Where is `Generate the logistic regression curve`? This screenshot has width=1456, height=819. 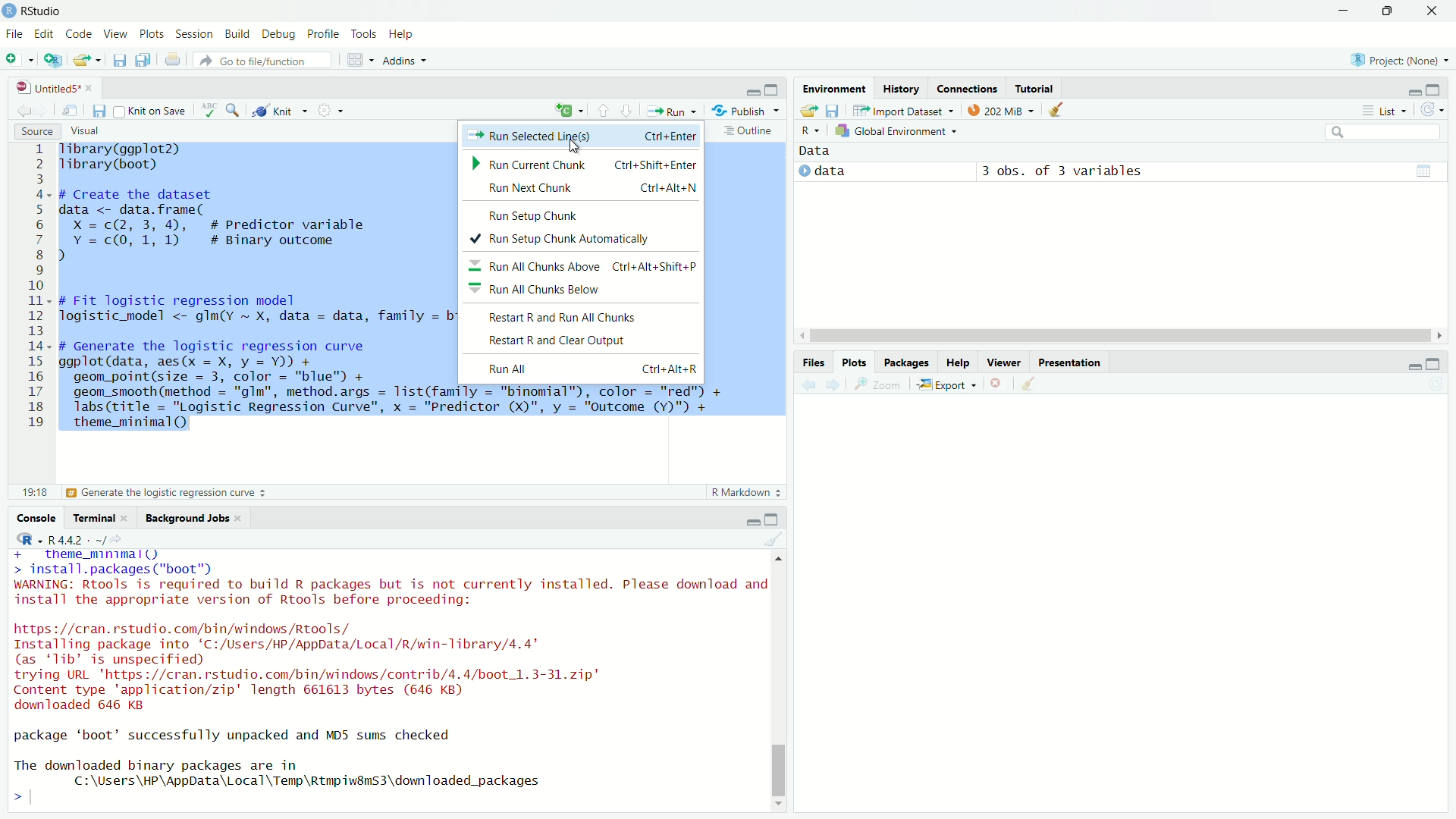 Generate the logistic regression curve is located at coordinates (168, 493).